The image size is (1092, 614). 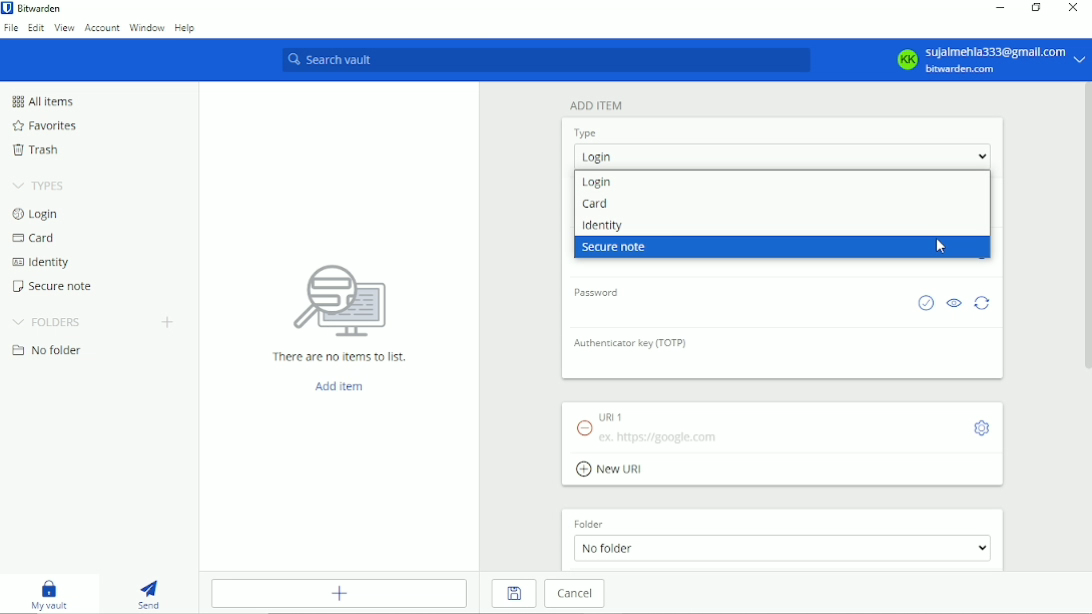 I want to click on Card, so click(x=33, y=239).